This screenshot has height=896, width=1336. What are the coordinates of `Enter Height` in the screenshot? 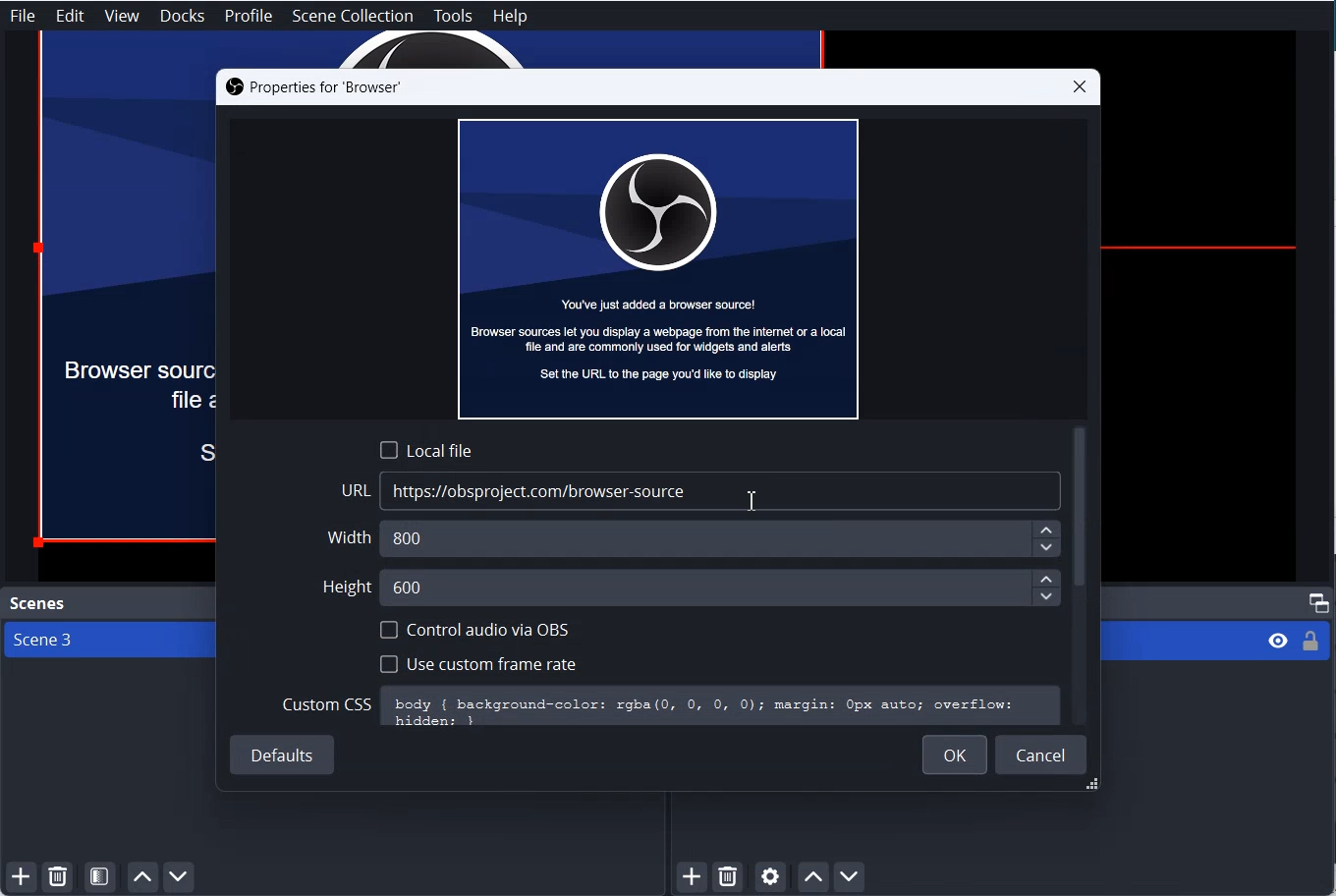 It's located at (691, 586).